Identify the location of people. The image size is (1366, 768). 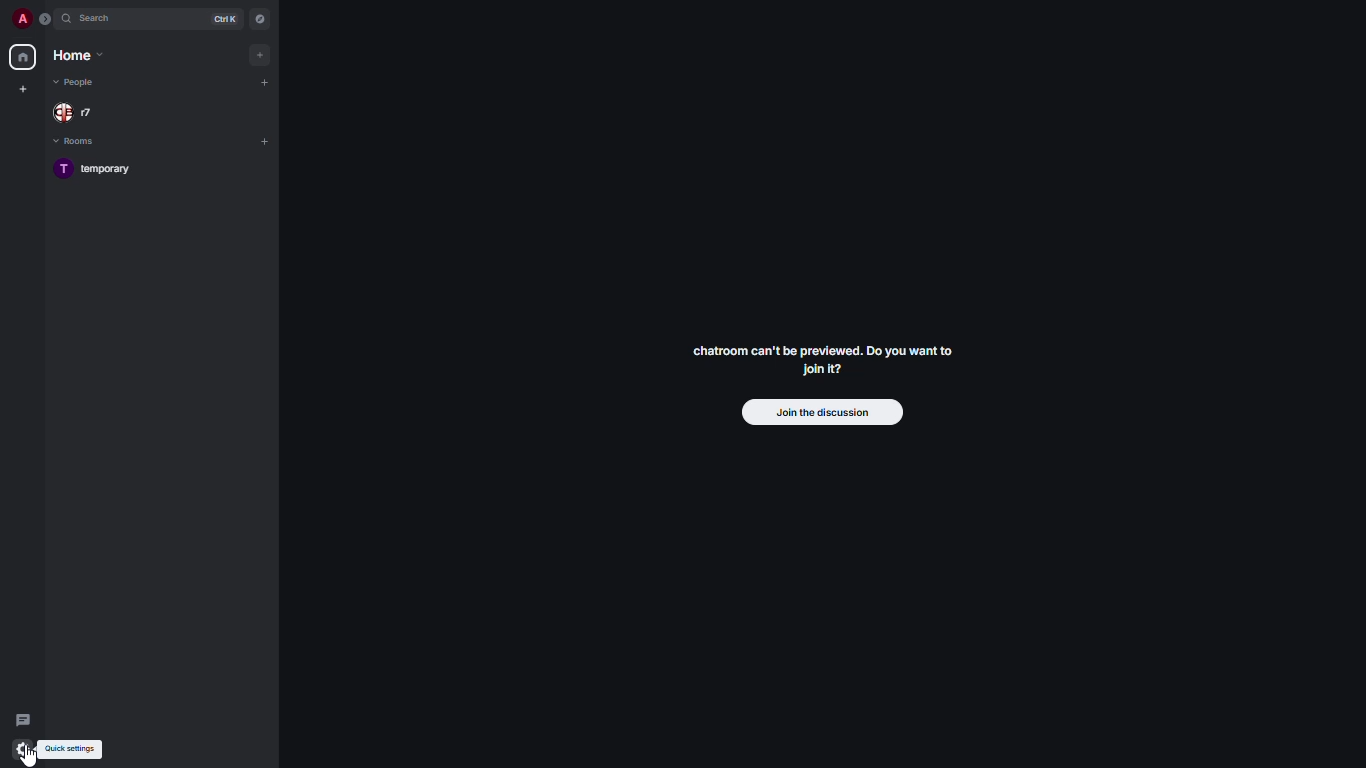
(77, 82).